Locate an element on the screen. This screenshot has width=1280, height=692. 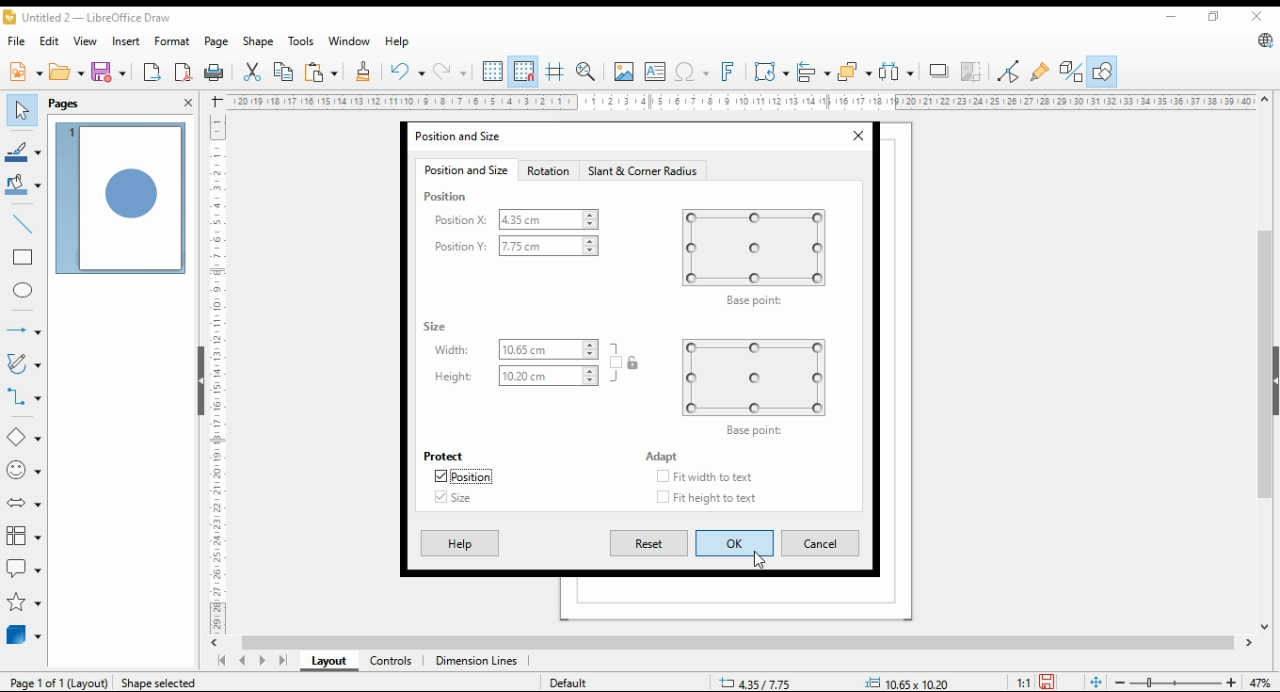
view is located at coordinates (84, 41).